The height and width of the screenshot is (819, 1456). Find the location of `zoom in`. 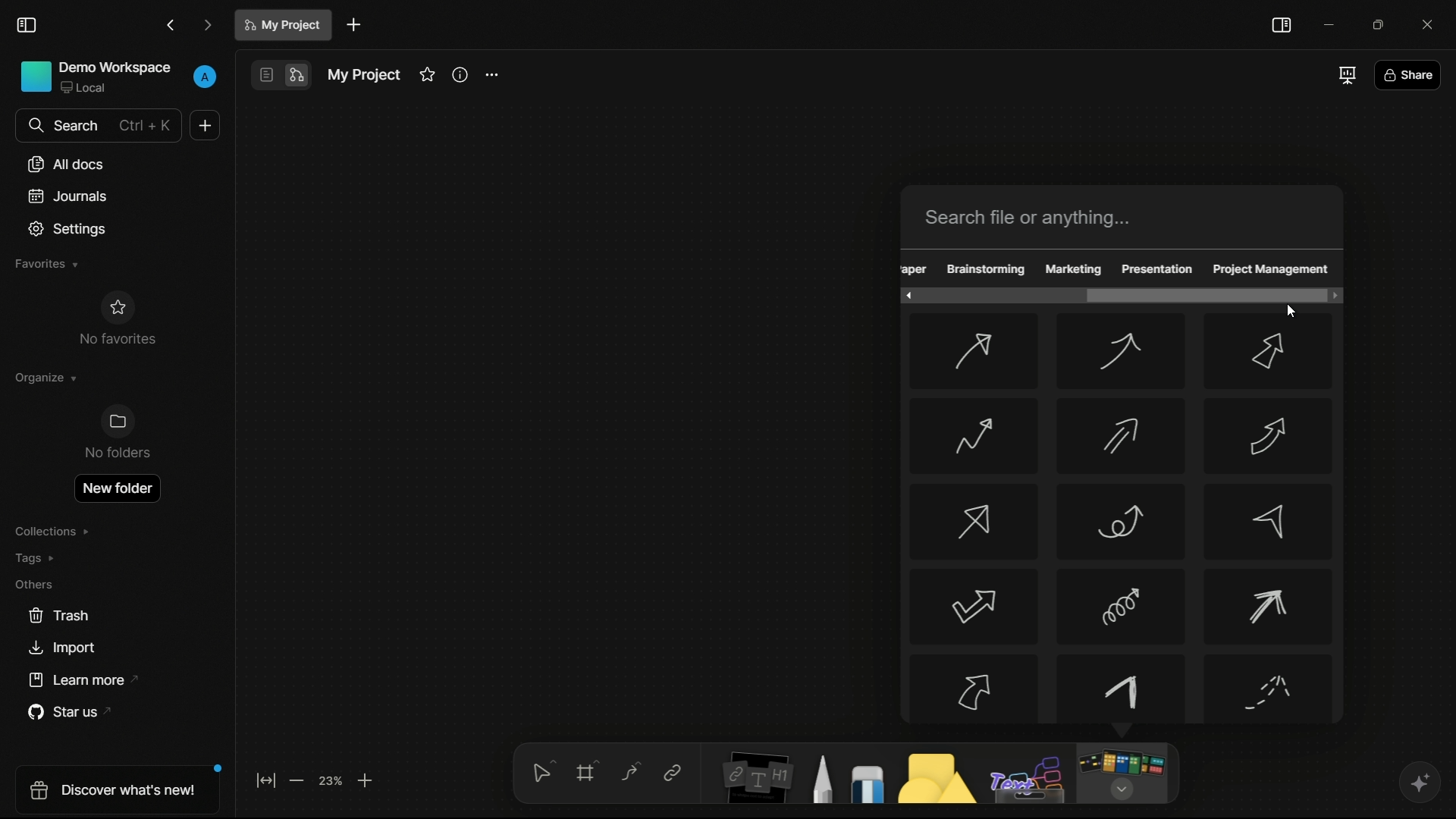

zoom in is located at coordinates (366, 780).